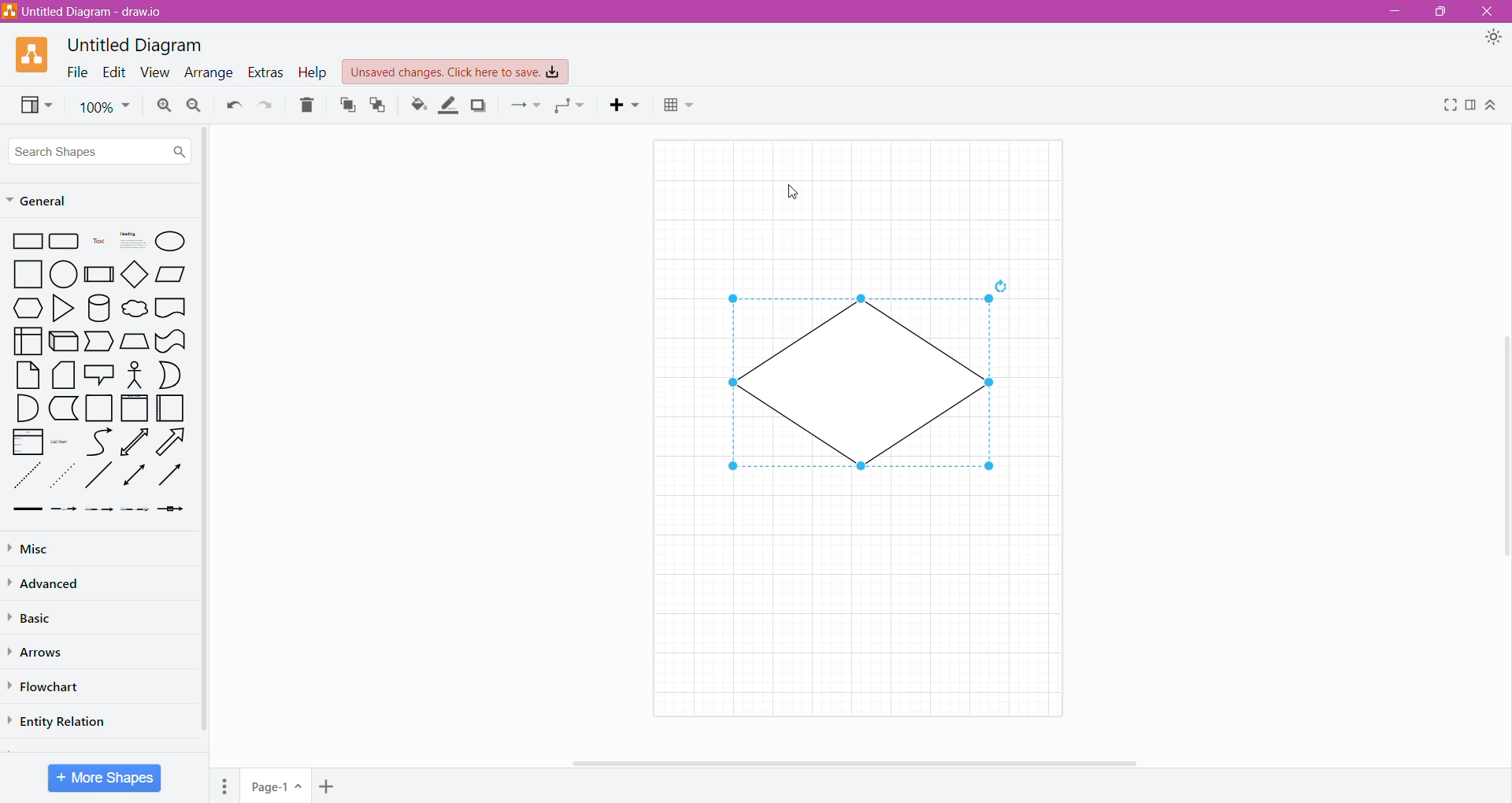 The image size is (1512, 803). Describe the element at coordinates (1391, 11) in the screenshot. I see `Minimize` at that location.